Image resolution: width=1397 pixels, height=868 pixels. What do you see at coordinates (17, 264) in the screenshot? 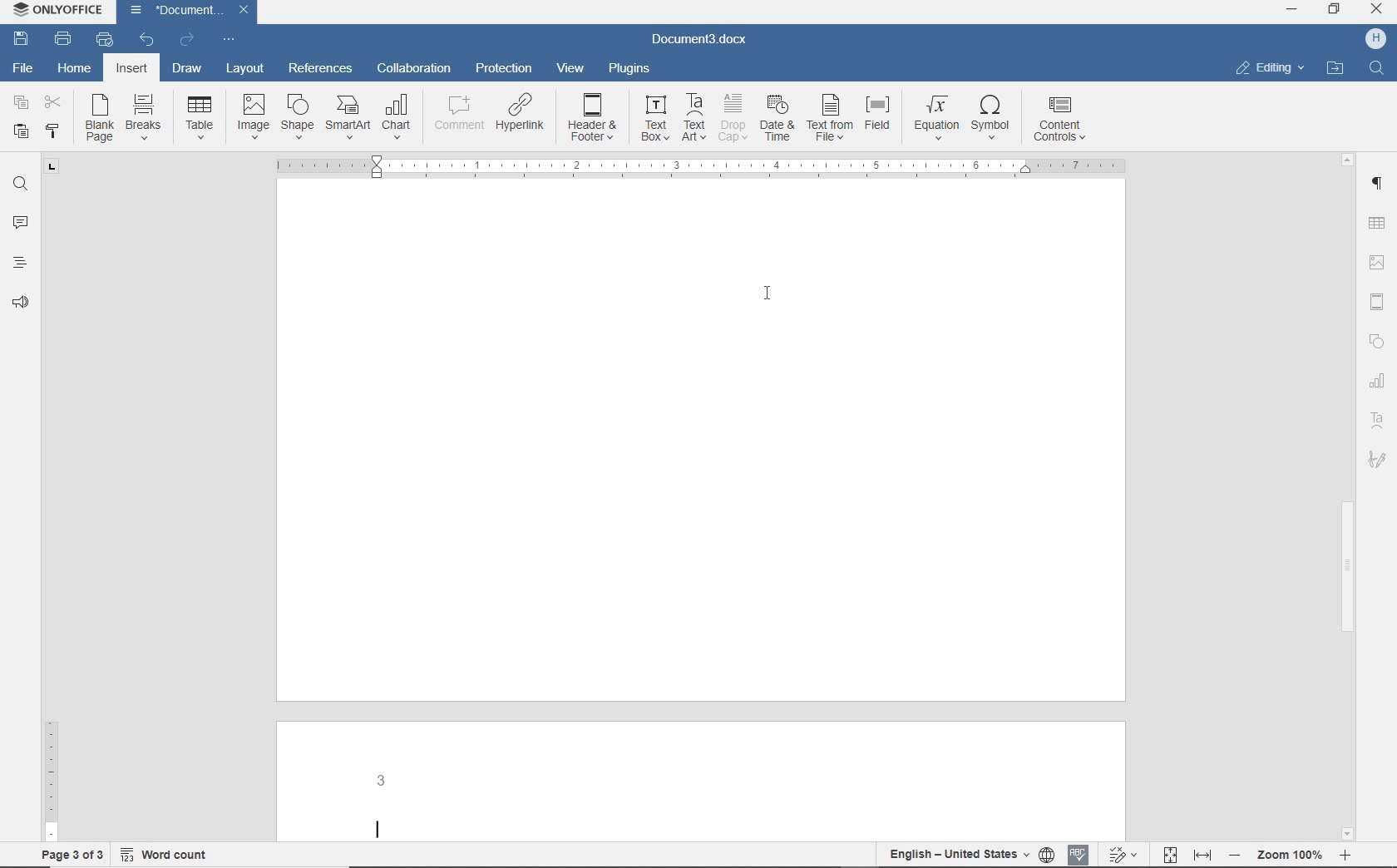
I see `HEADINGS` at bounding box center [17, 264].